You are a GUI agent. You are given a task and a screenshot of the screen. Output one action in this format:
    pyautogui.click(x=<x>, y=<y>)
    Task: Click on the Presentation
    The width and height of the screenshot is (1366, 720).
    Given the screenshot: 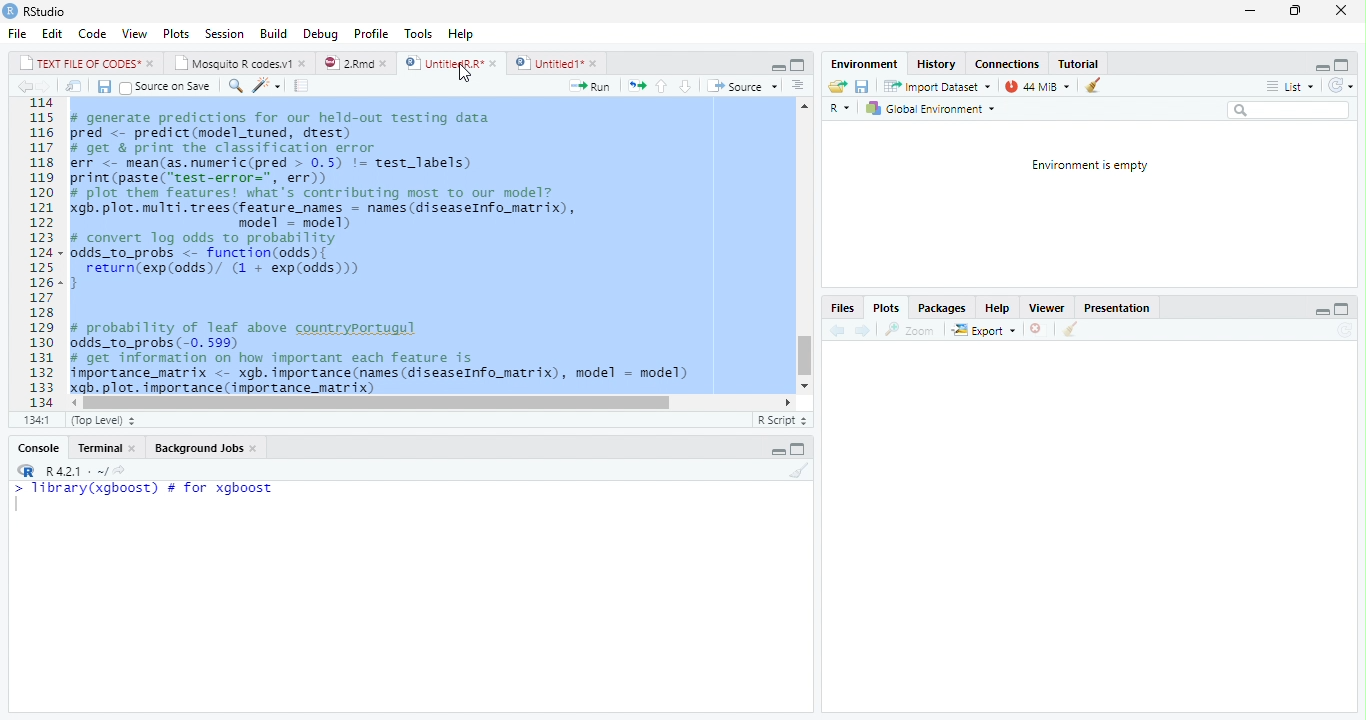 What is the action you would take?
    pyautogui.click(x=1119, y=306)
    